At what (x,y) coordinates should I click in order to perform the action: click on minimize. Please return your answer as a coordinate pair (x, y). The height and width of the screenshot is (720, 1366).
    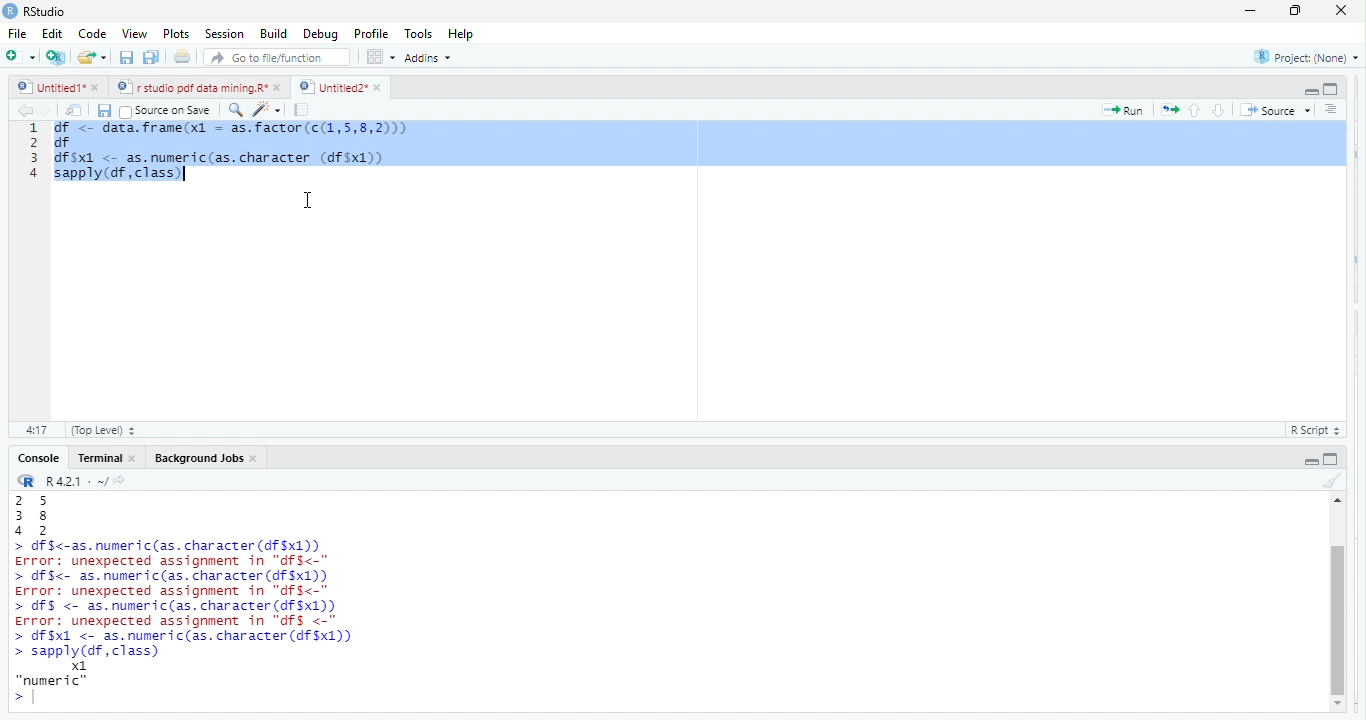
    Looking at the image, I should click on (1246, 12).